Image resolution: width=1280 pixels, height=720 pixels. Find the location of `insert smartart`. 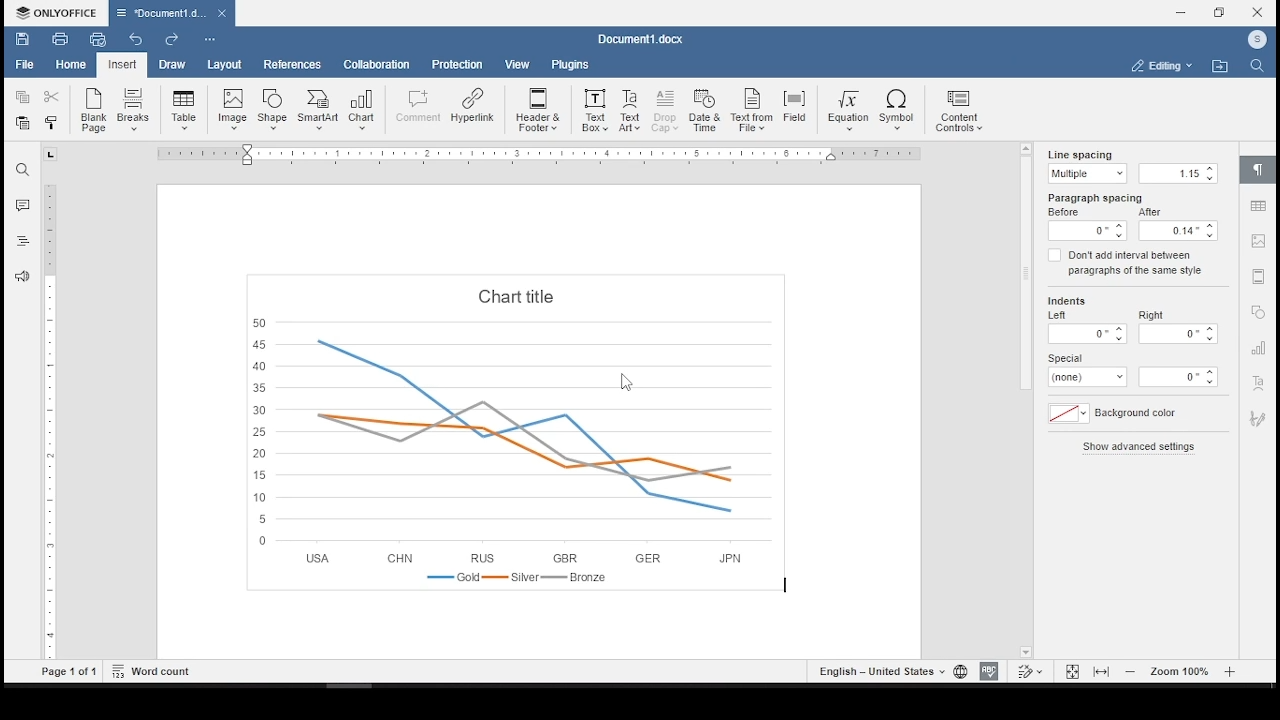

insert smartart is located at coordinates (318, 111).